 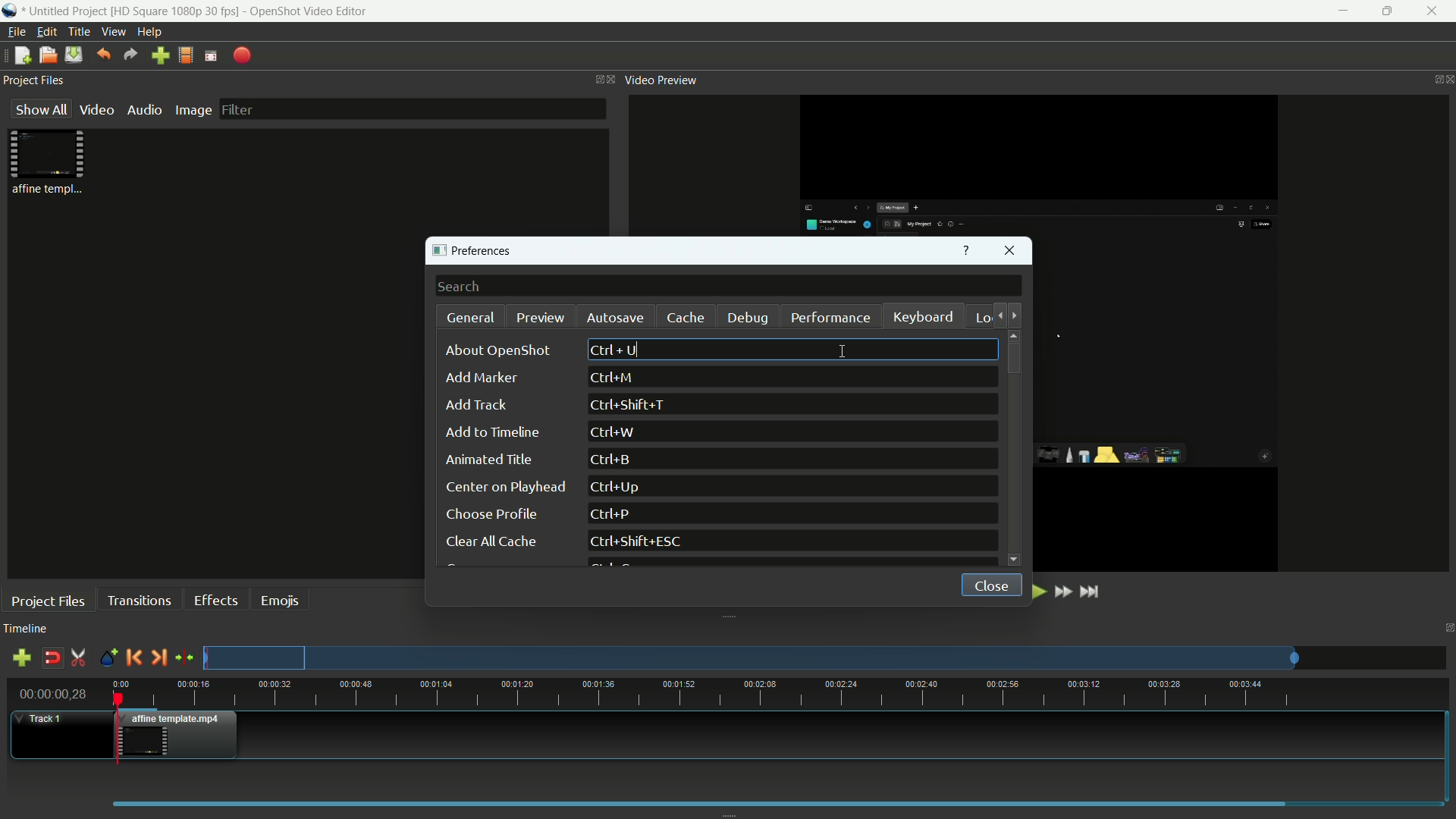 I want to click on keyboard shortcut, so click(x=613, y=460).